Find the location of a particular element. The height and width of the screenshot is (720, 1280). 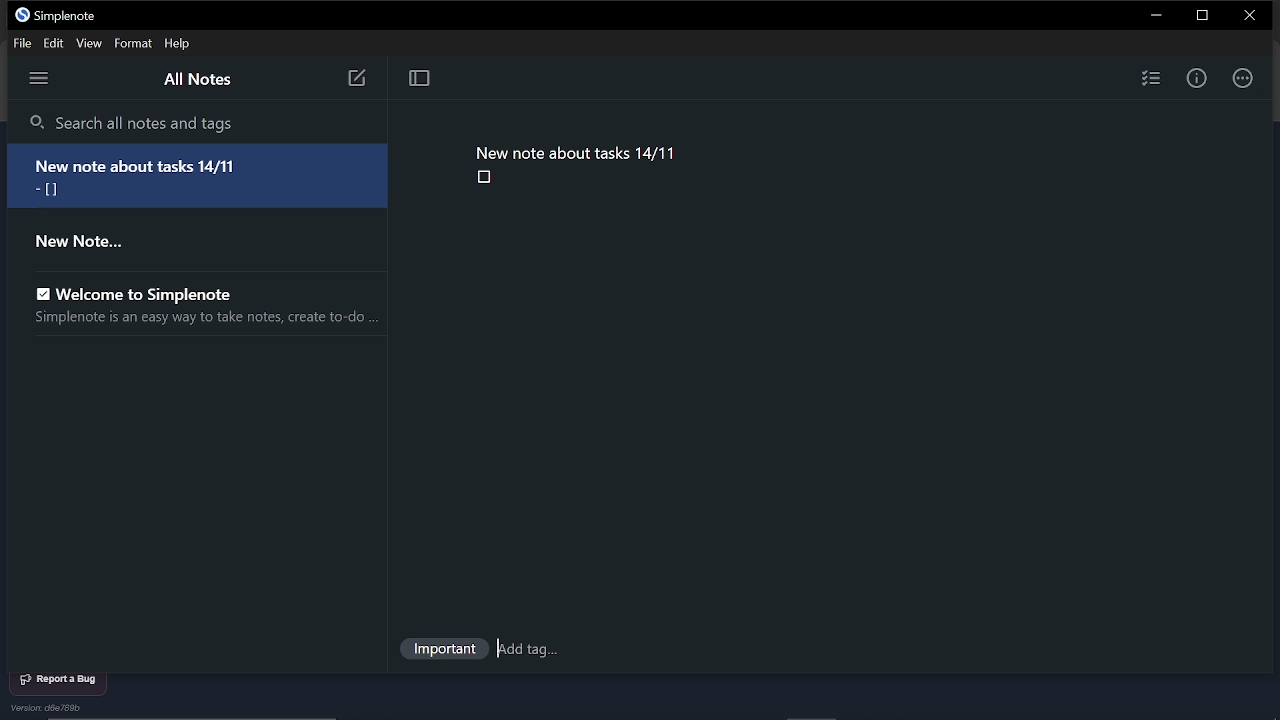

Help is located at coordinates (178, 44).